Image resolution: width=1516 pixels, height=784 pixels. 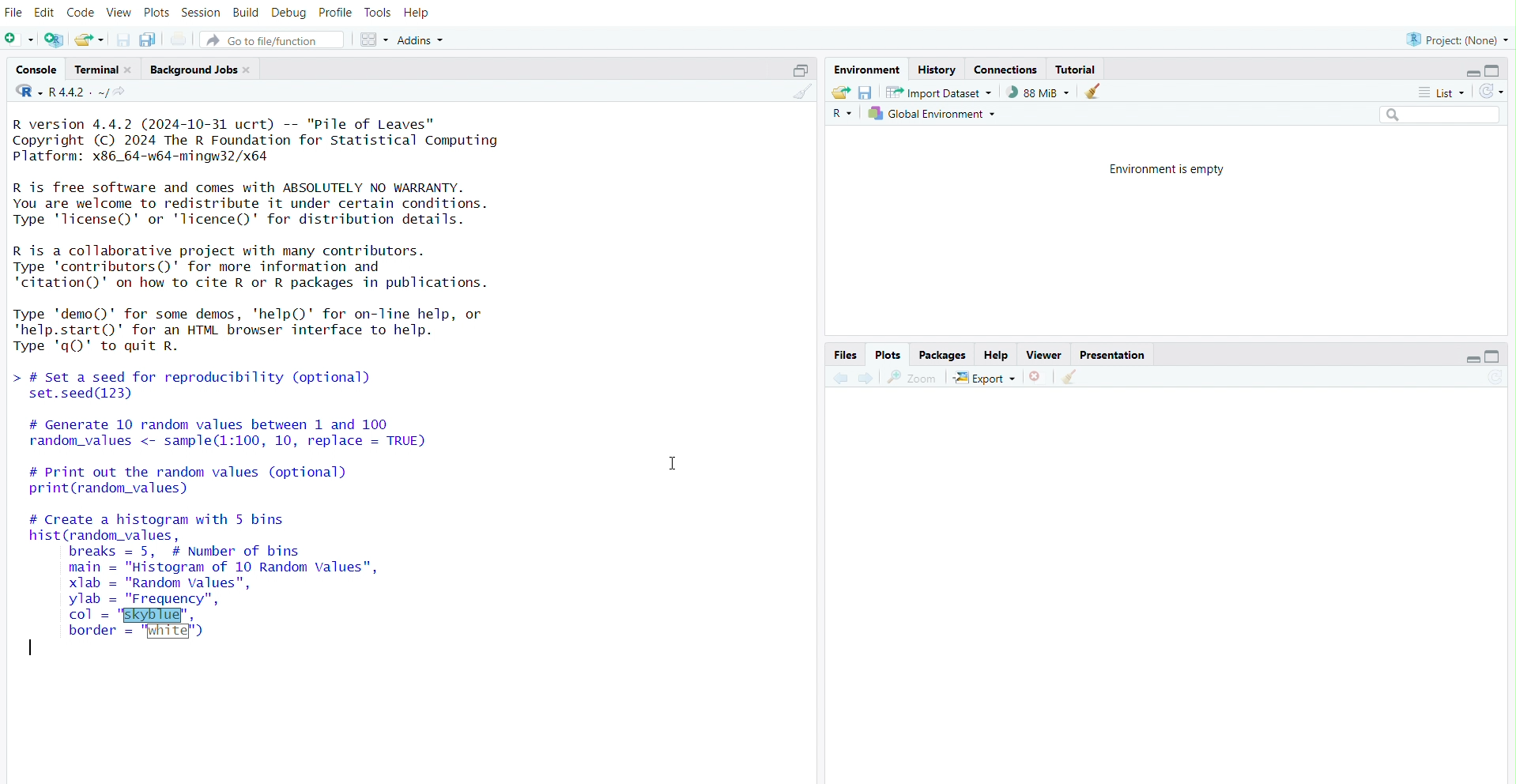 I want to click on terminal, so click(x=92, y=68).